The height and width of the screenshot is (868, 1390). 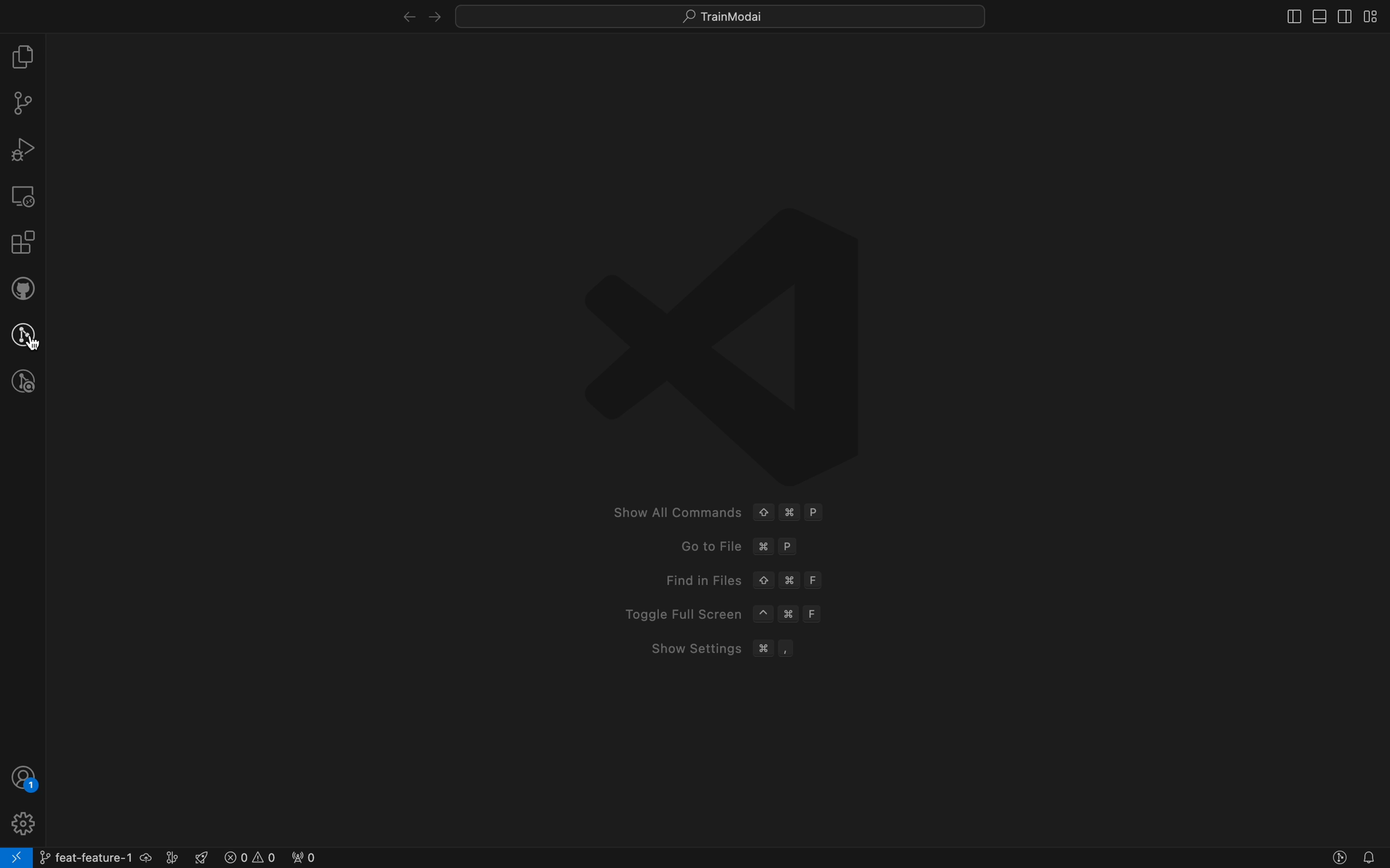 What do you see at coordinates (733, 649) in the screenshot?
I see `Show Settings # ,` at bounding box center [733, 649].